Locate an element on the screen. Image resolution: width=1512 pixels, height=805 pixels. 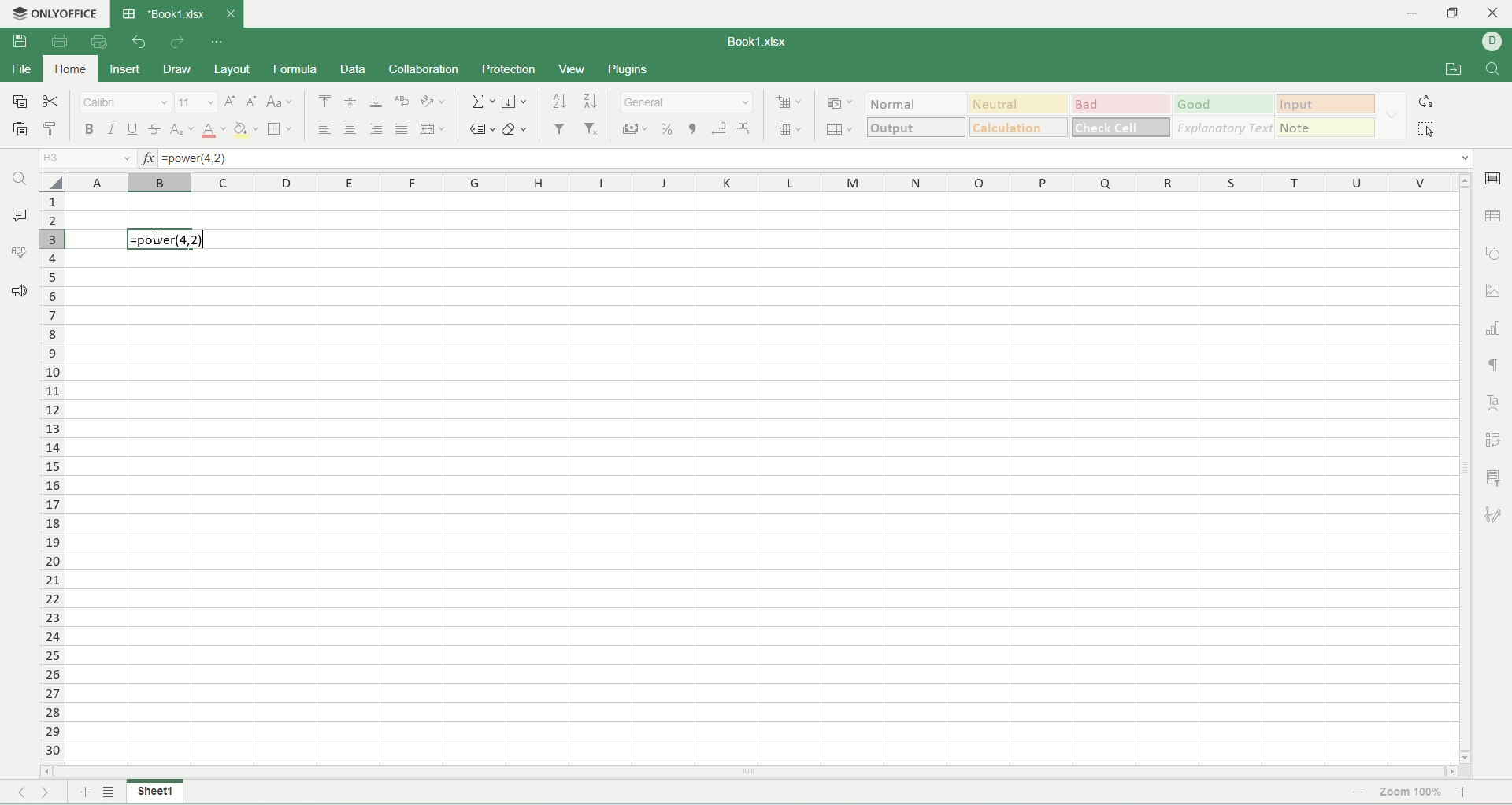
font size is located at coordinates (197, 102).